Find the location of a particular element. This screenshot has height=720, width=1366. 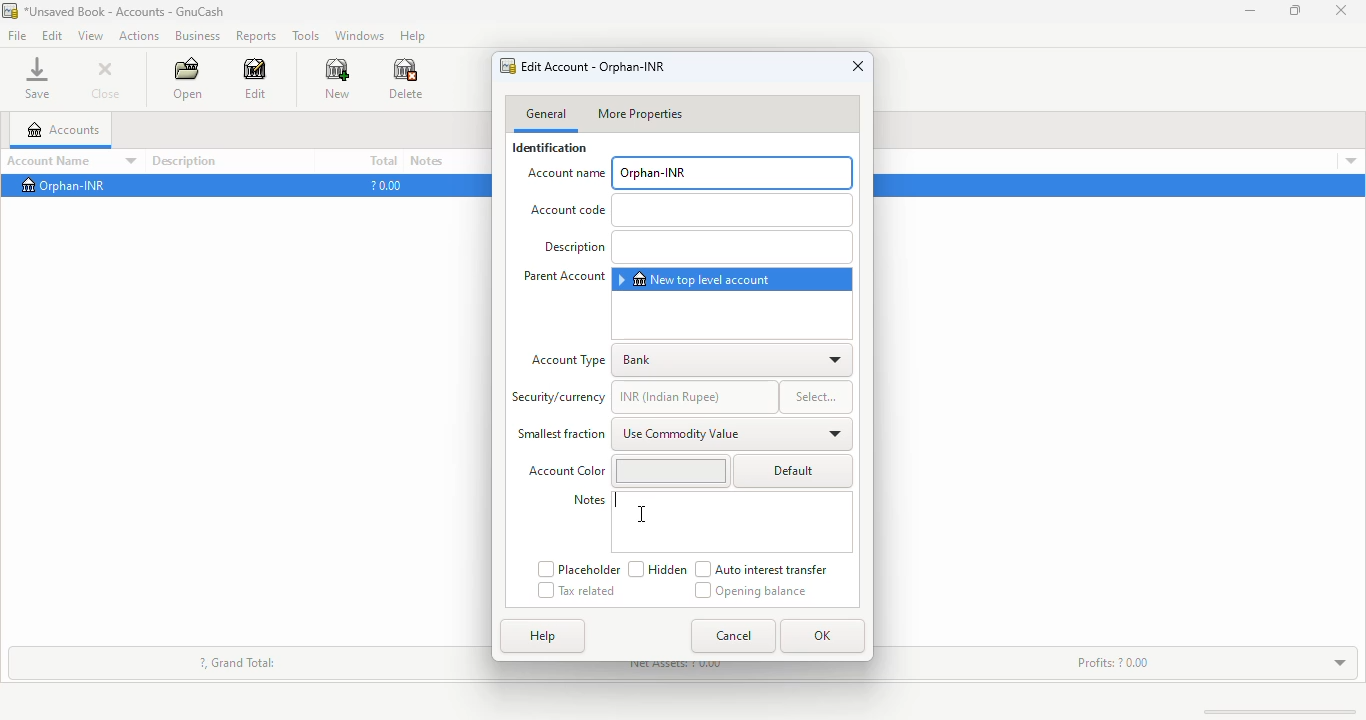

edit is located at coordinates (254, 79).